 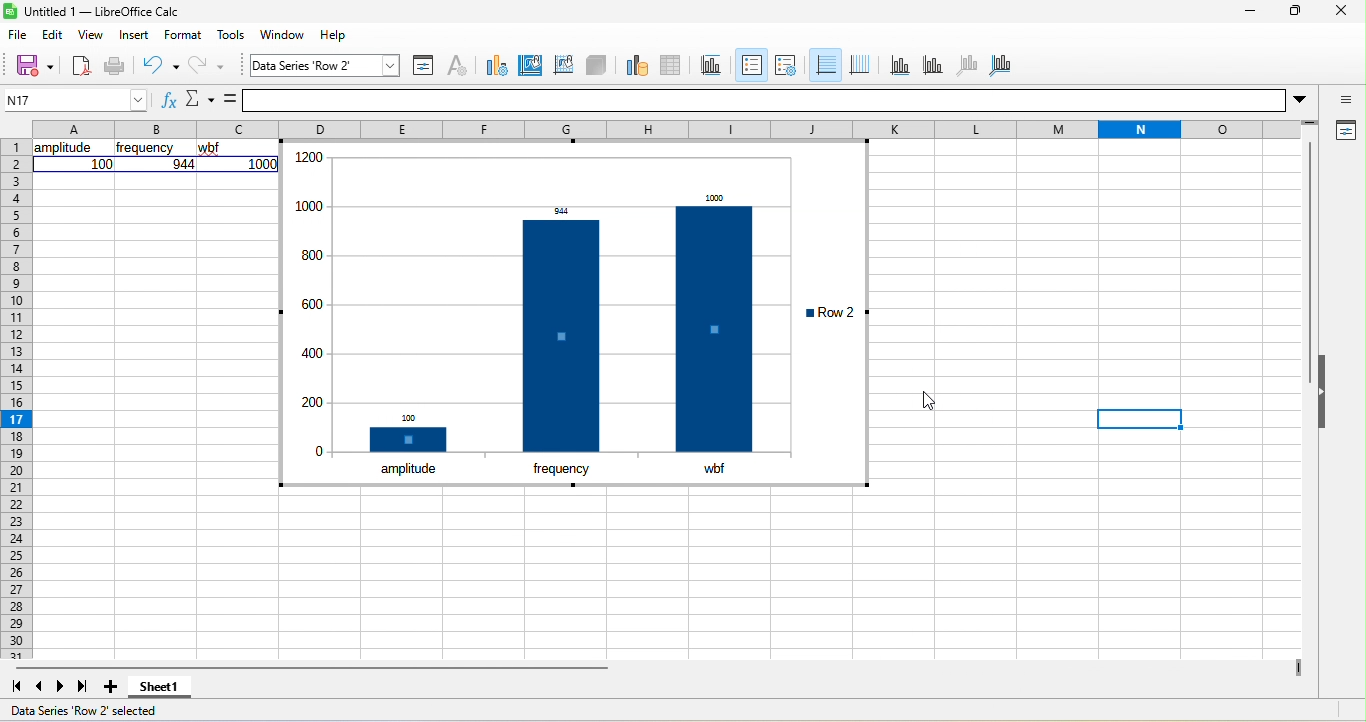 I want to click on new, so click(x=80, y=65).